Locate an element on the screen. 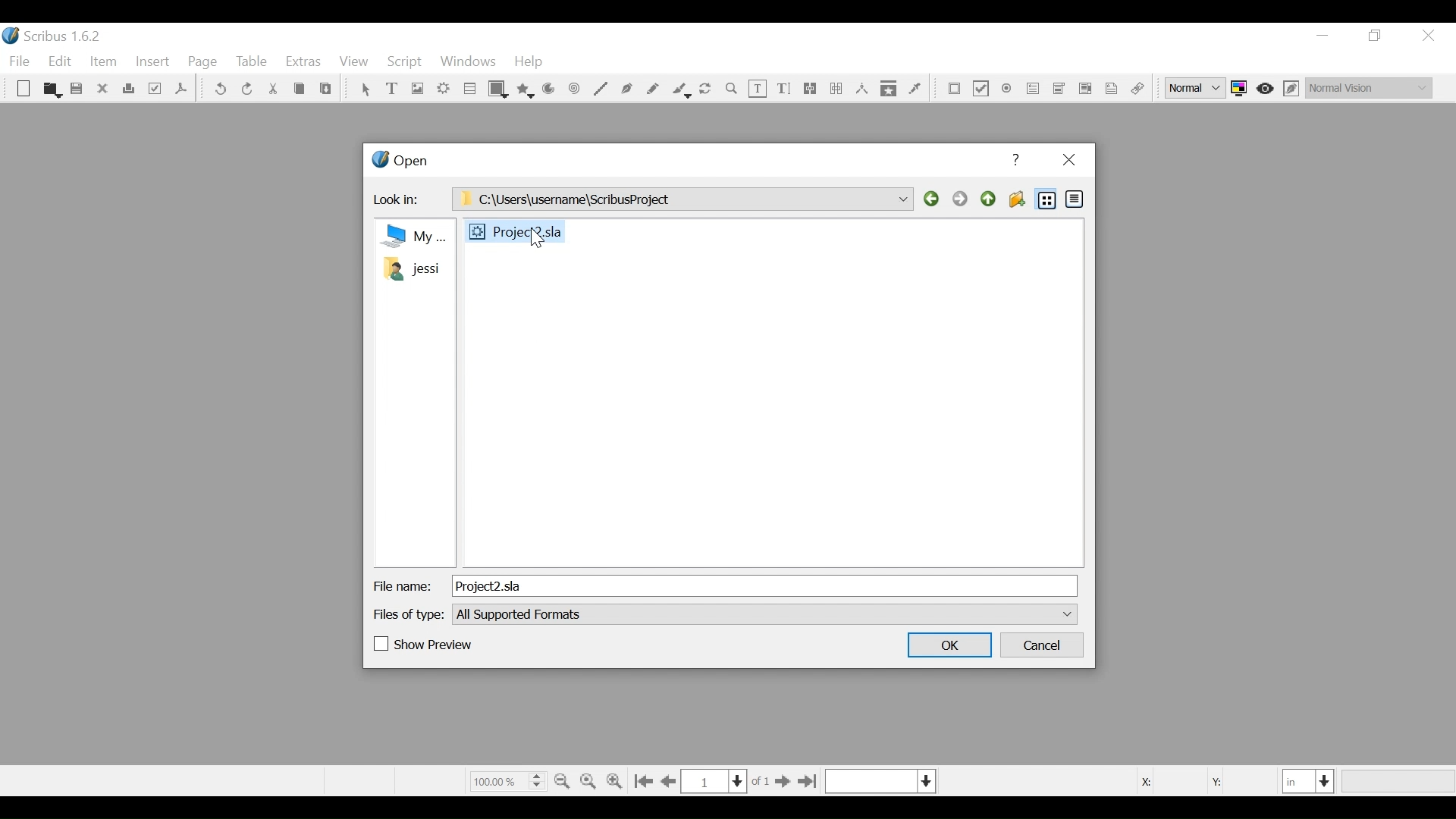 Image resolution: width=1456 pixels, height=819 pixels. Edit Content Text Story Editor is located at coordinates (783, 89).